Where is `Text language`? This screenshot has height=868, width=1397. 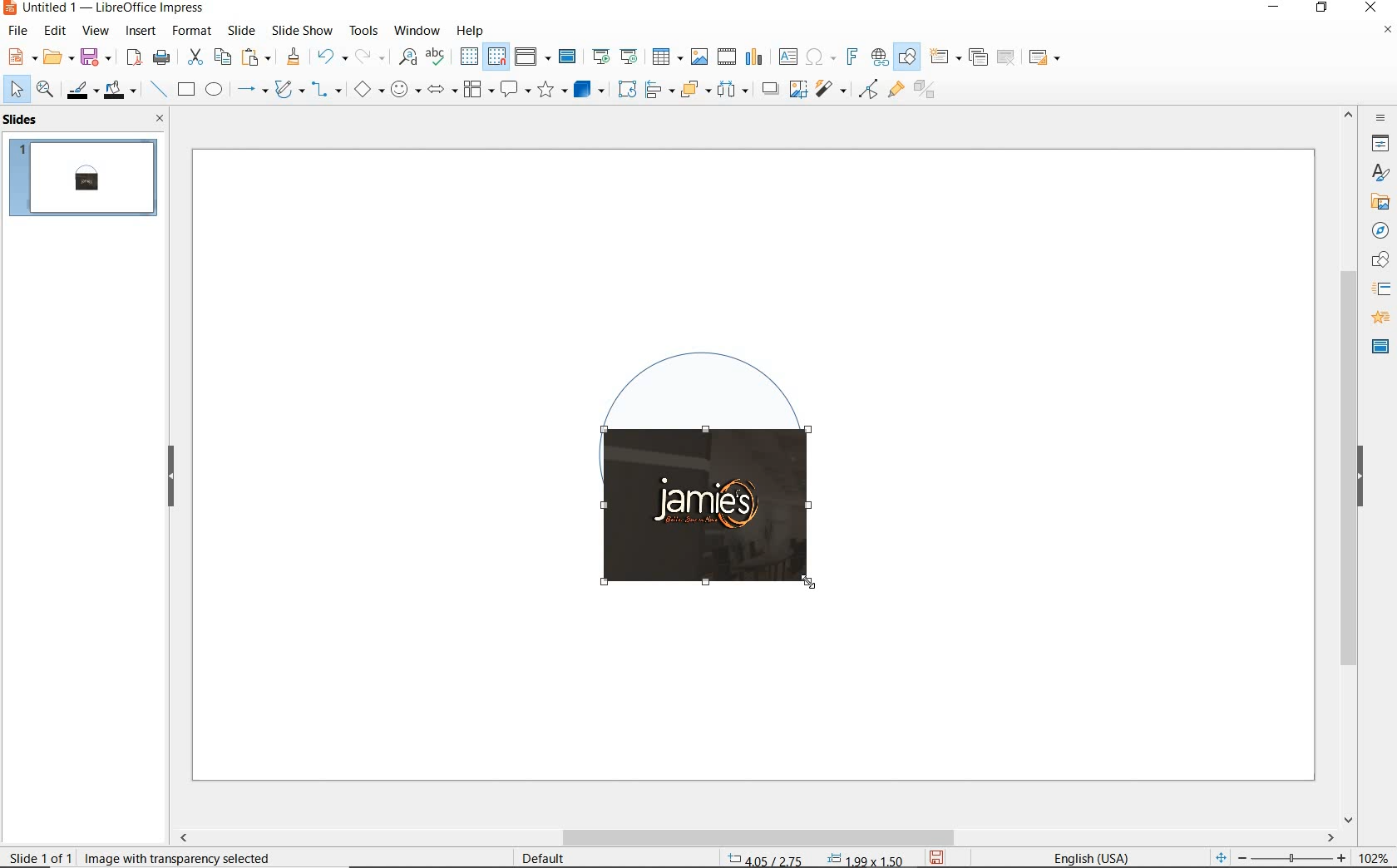 Text language is located at coordinates (1088, 856).